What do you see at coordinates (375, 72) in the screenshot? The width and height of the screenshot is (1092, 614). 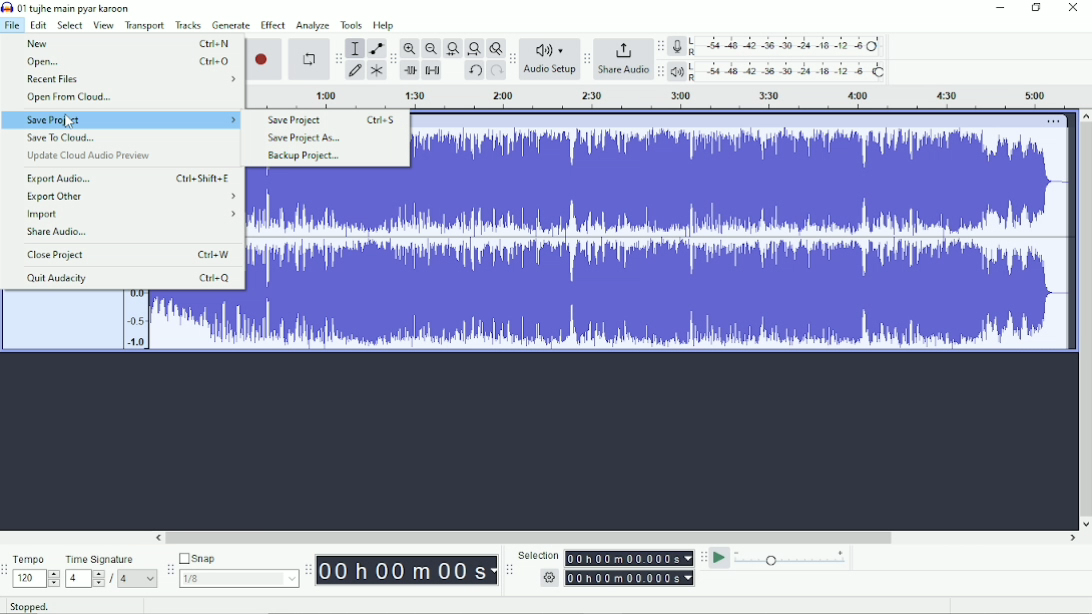 I see `Multi-tool` at bounding box center [375, 72].